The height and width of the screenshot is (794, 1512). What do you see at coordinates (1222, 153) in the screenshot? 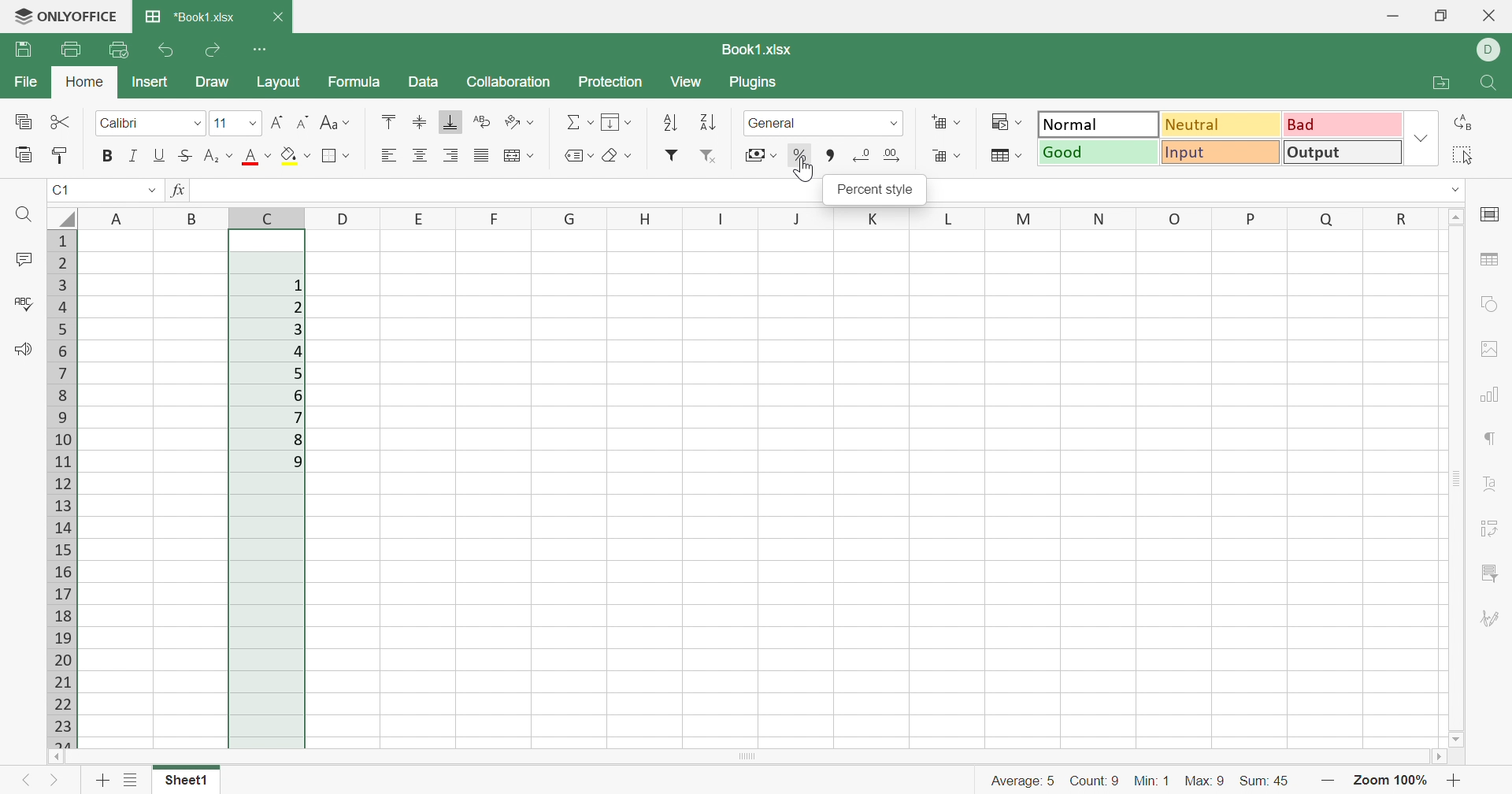
I see `Input` at bounding box center [1222, 153].